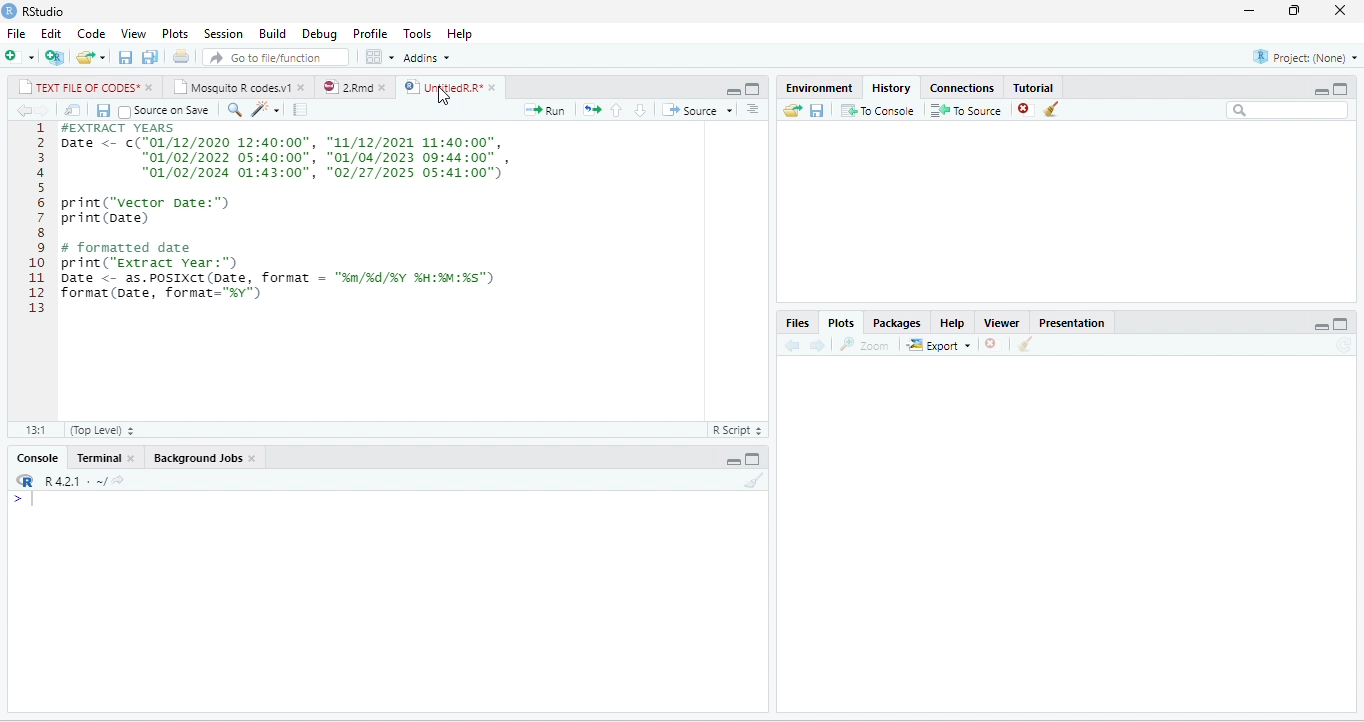 Image resolution: width=1364 pixels, height=722 pixels. Describe the element at coordinates (151, 87) in the screenshot. I see `close` at that location.